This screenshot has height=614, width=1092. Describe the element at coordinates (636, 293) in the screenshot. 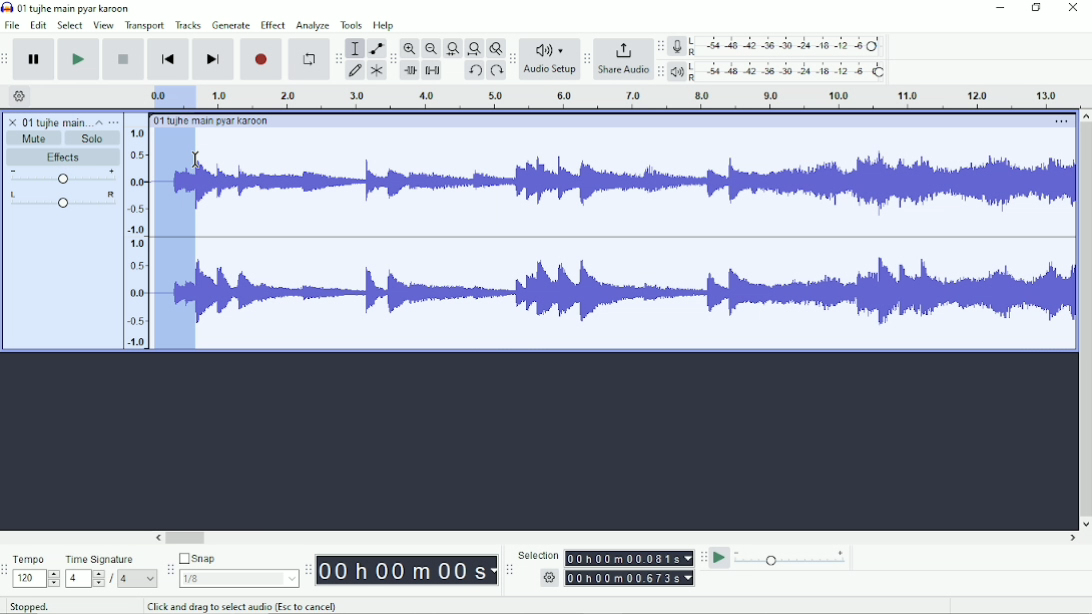

I see `Audio Waves` at that location.